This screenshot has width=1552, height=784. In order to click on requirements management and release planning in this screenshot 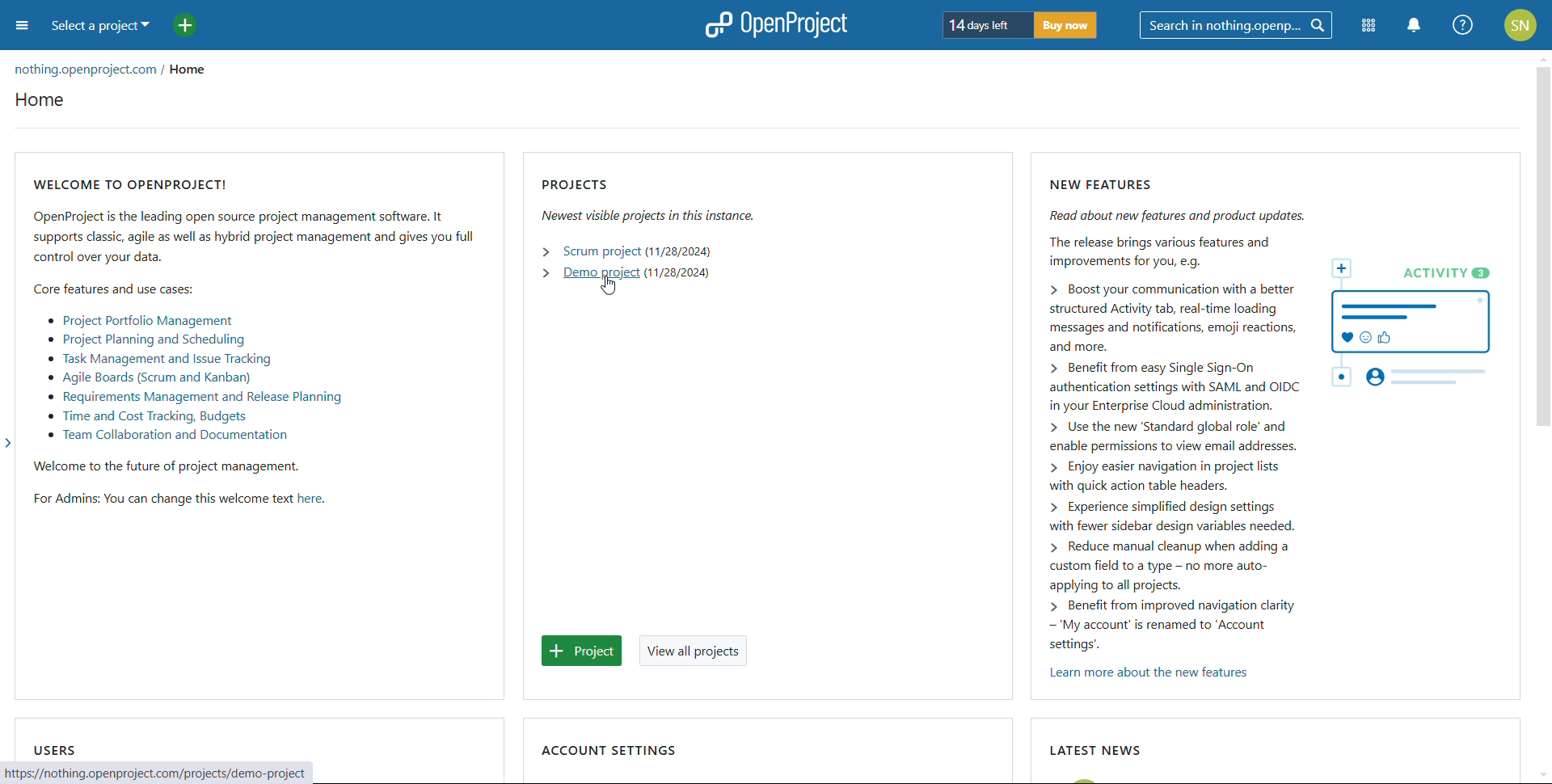, I will do `click(192, 398)`.